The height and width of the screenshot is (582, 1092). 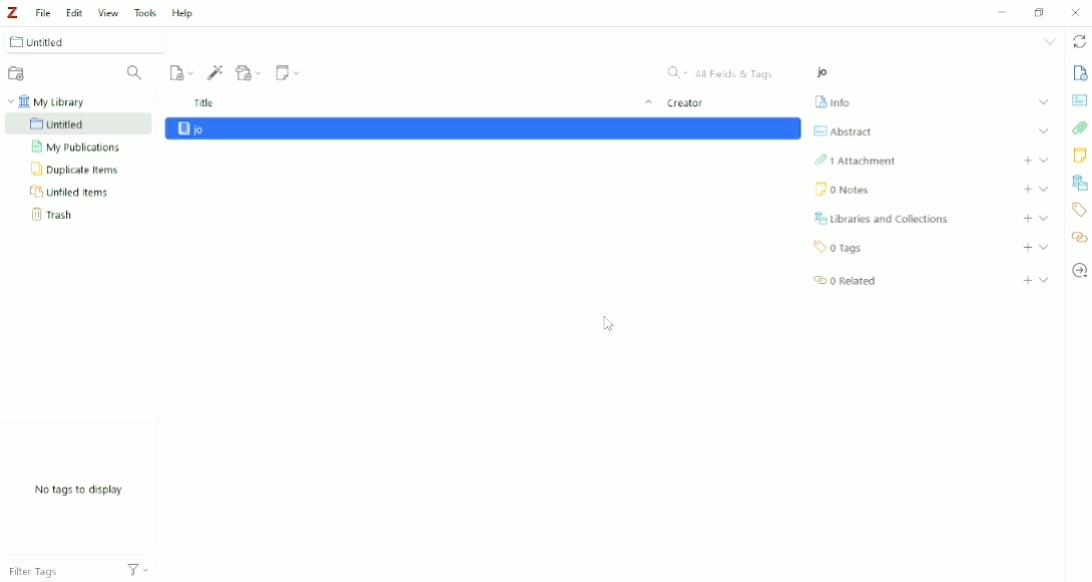 What do you see at coordinates (1078, 156) in the screenshot?
I see `Notes` at bounding box center [1078, 156].